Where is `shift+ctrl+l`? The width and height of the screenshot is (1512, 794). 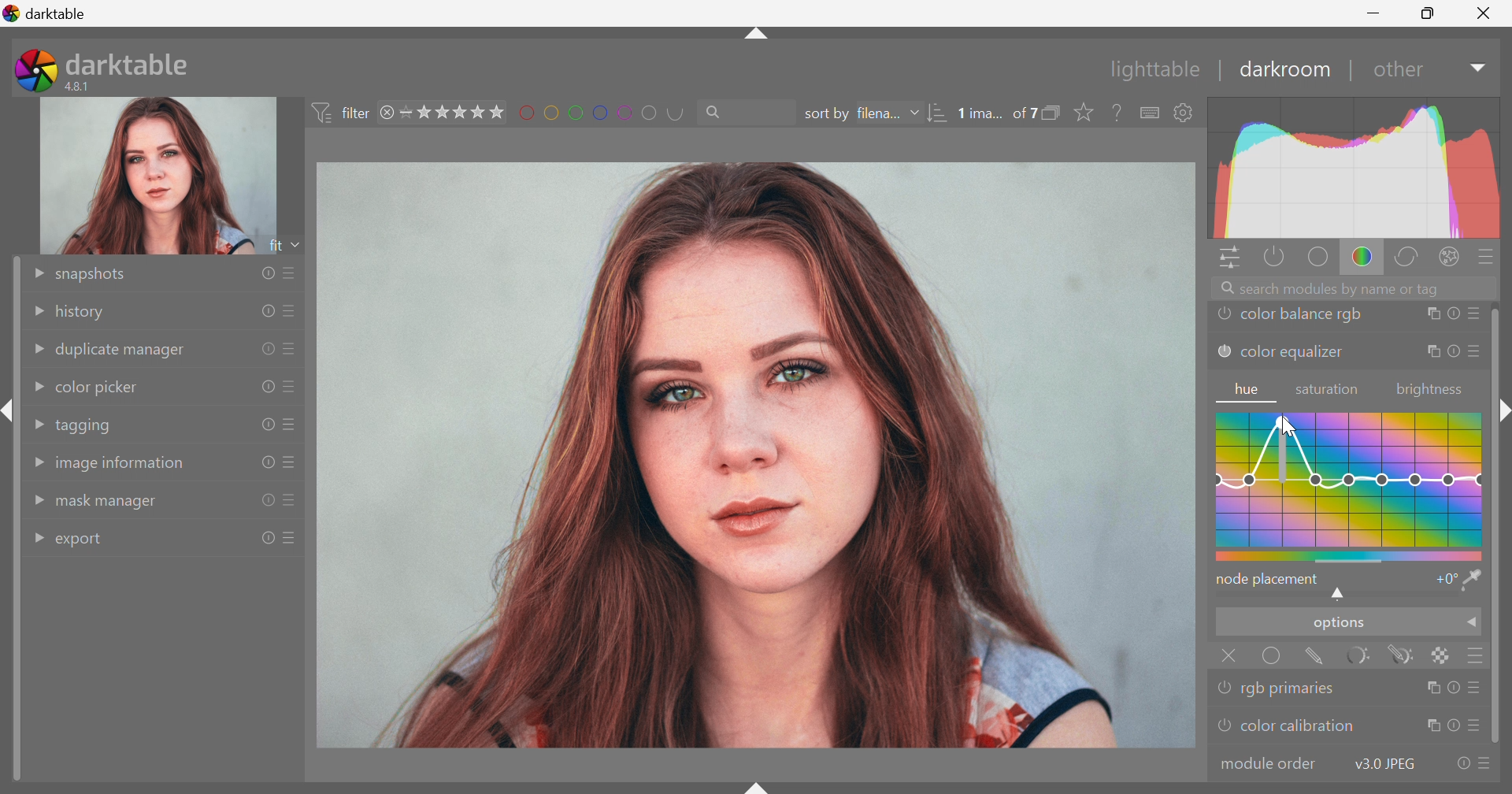
shift+ctrl+l is located at coordinates (9, 410).